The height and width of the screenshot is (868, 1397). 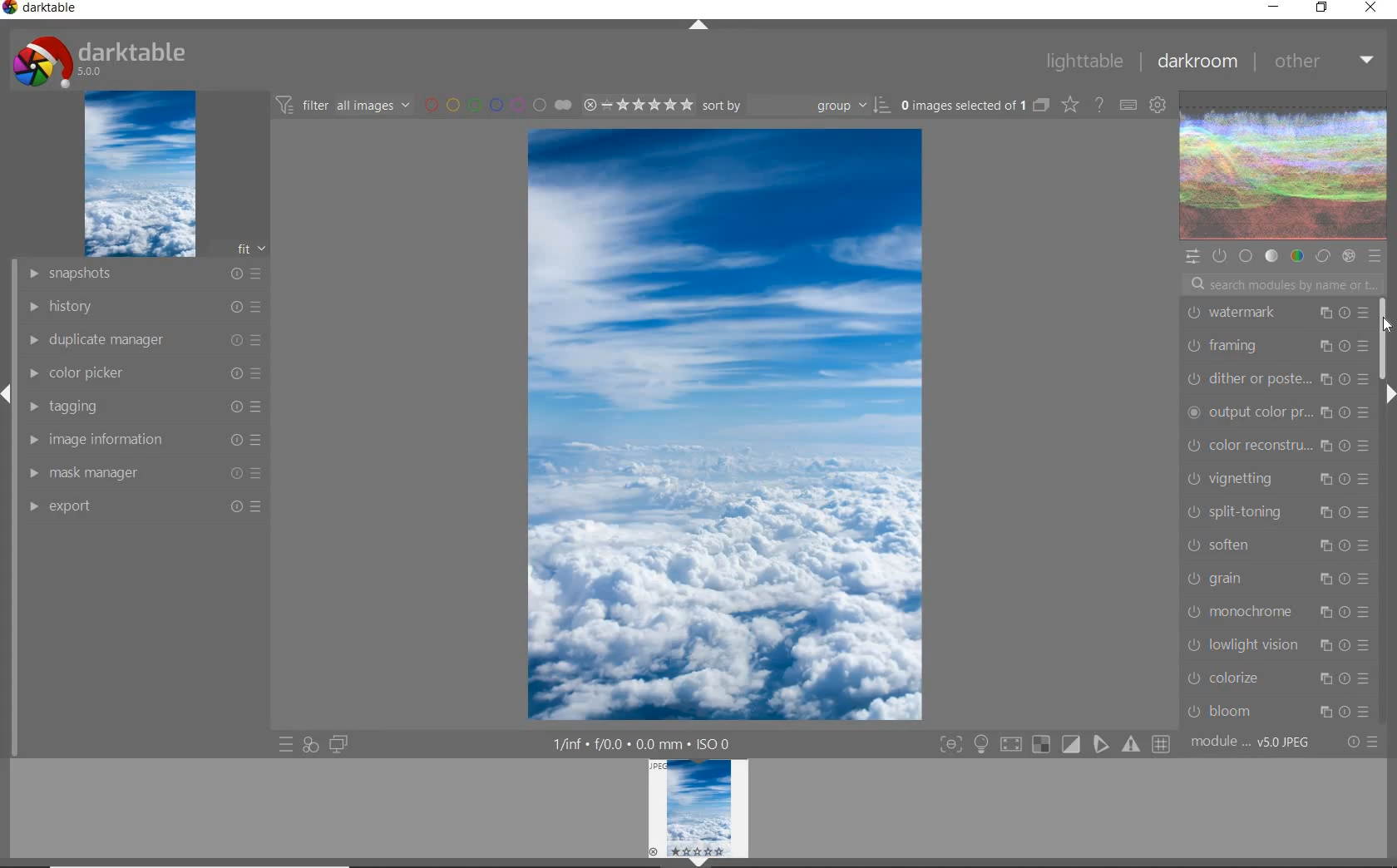 What do you see at coordinates (725, 424) in the screenshot?
I see `SELECTED IMAGE` at bounding box center [725, 424].